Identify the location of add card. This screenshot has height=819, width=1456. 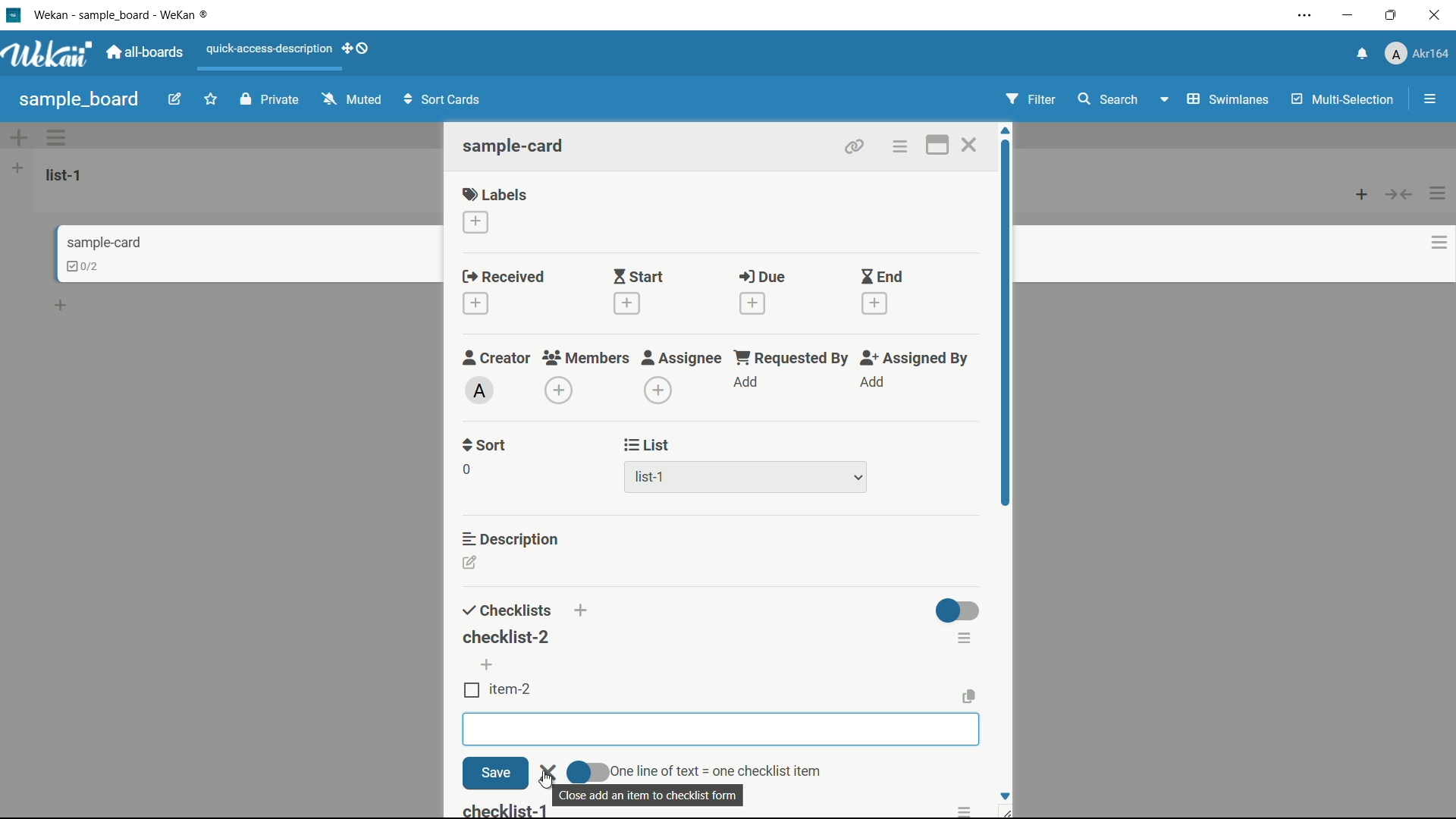
(1362, 193).